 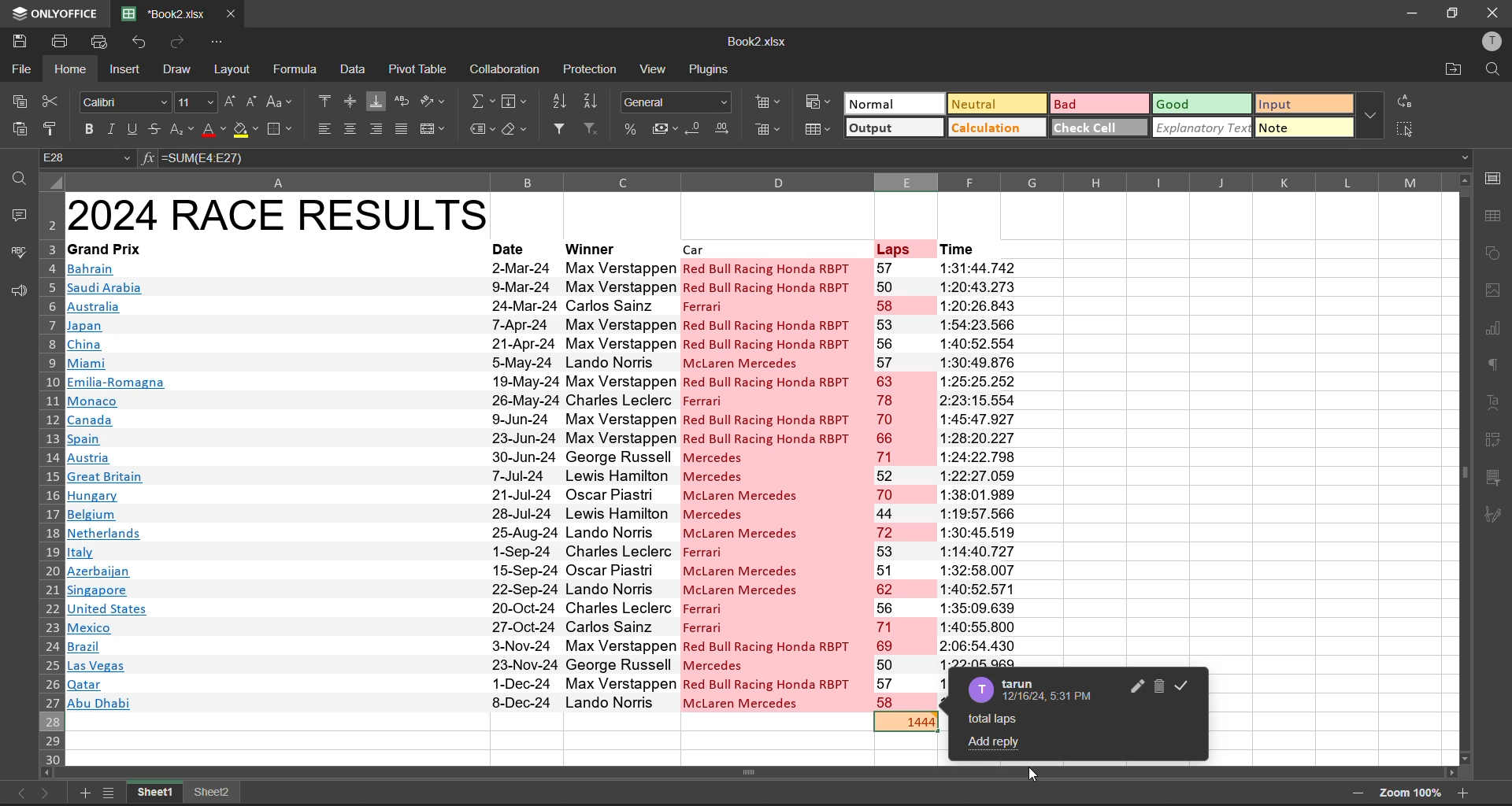 I want to click on table, so click(x=1494, y=216).